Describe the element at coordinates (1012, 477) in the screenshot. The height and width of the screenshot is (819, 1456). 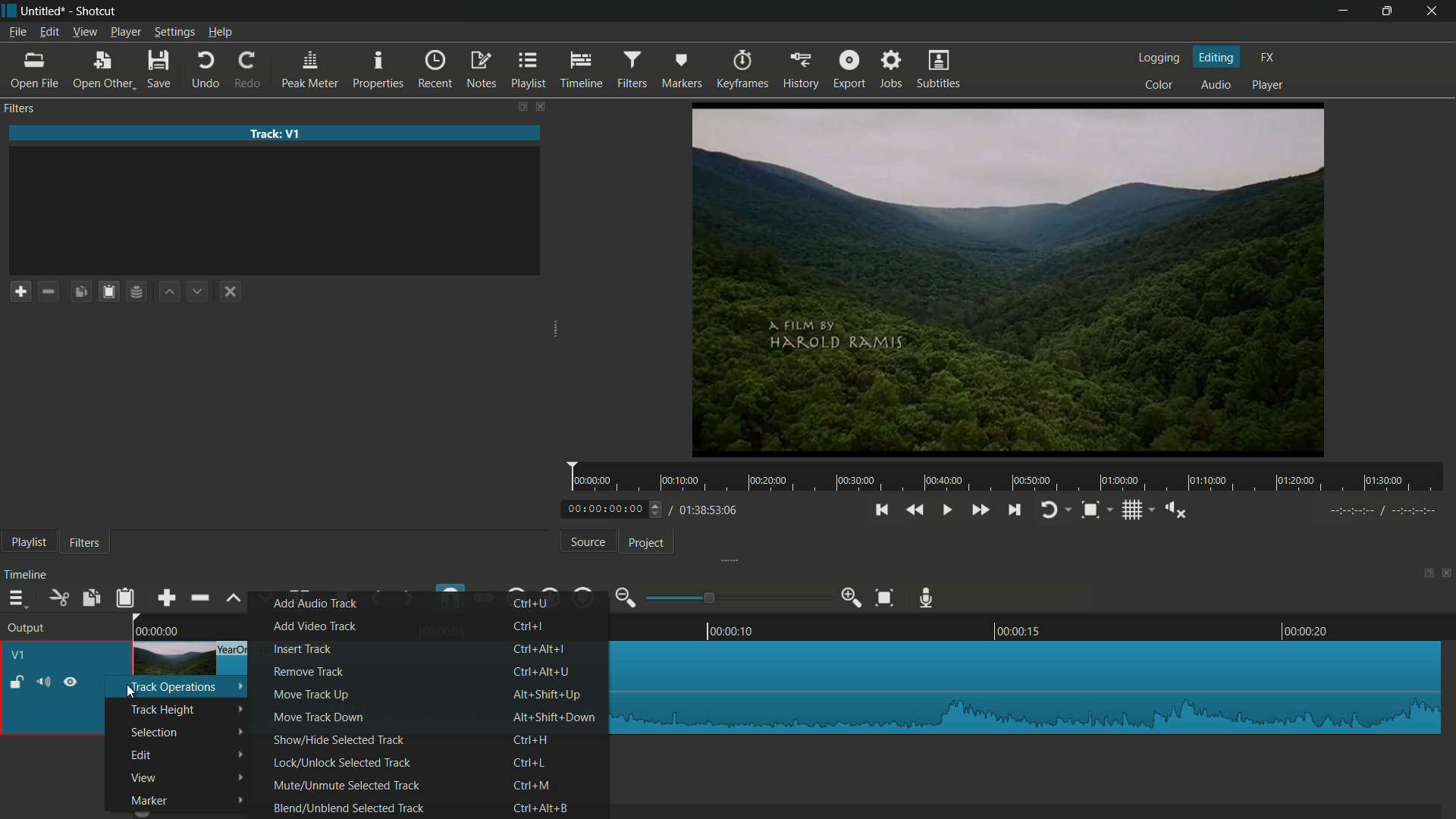
I see `time` at that location.